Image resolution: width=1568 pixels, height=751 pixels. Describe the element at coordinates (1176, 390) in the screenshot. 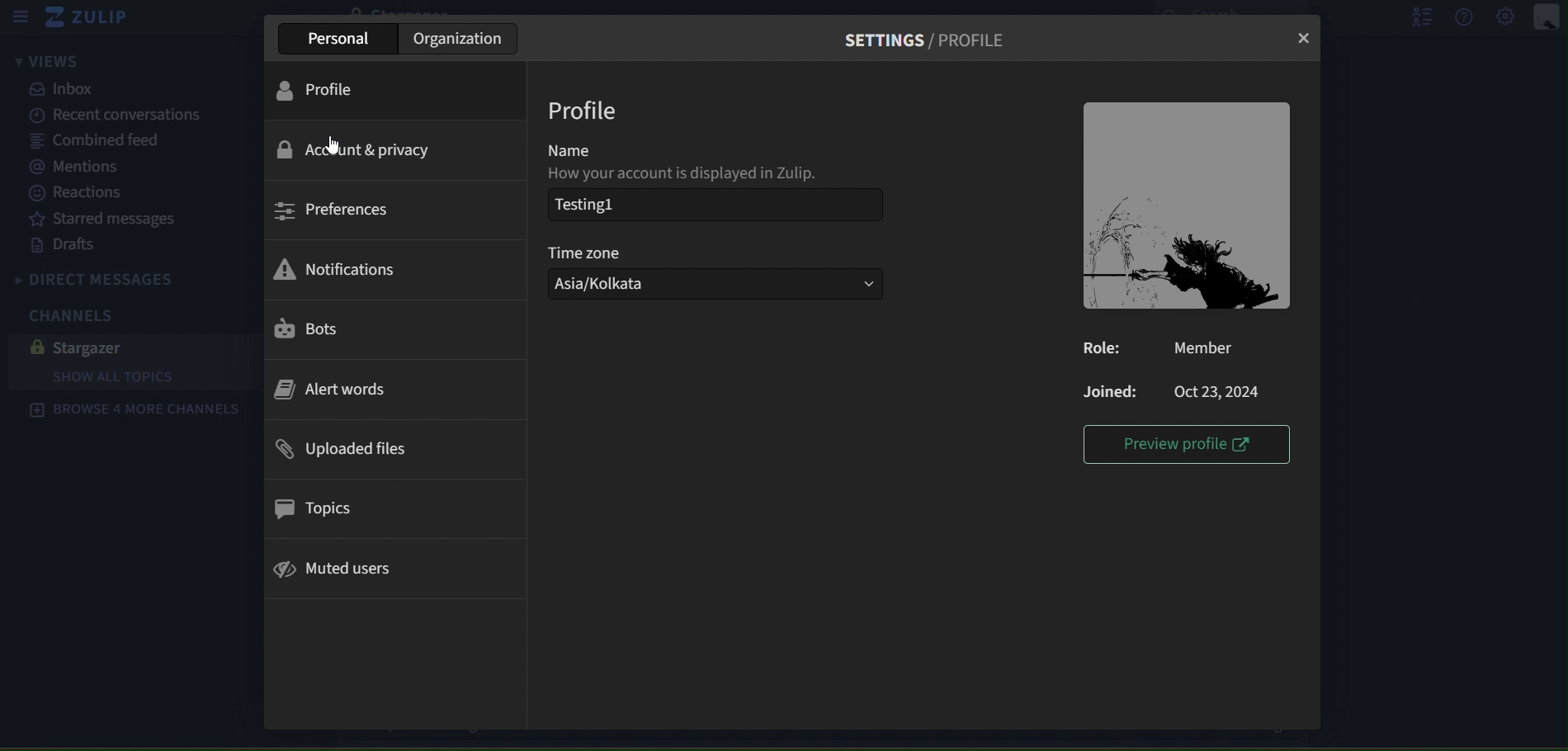

I see `Joined: Oct 23,2024` at that location.